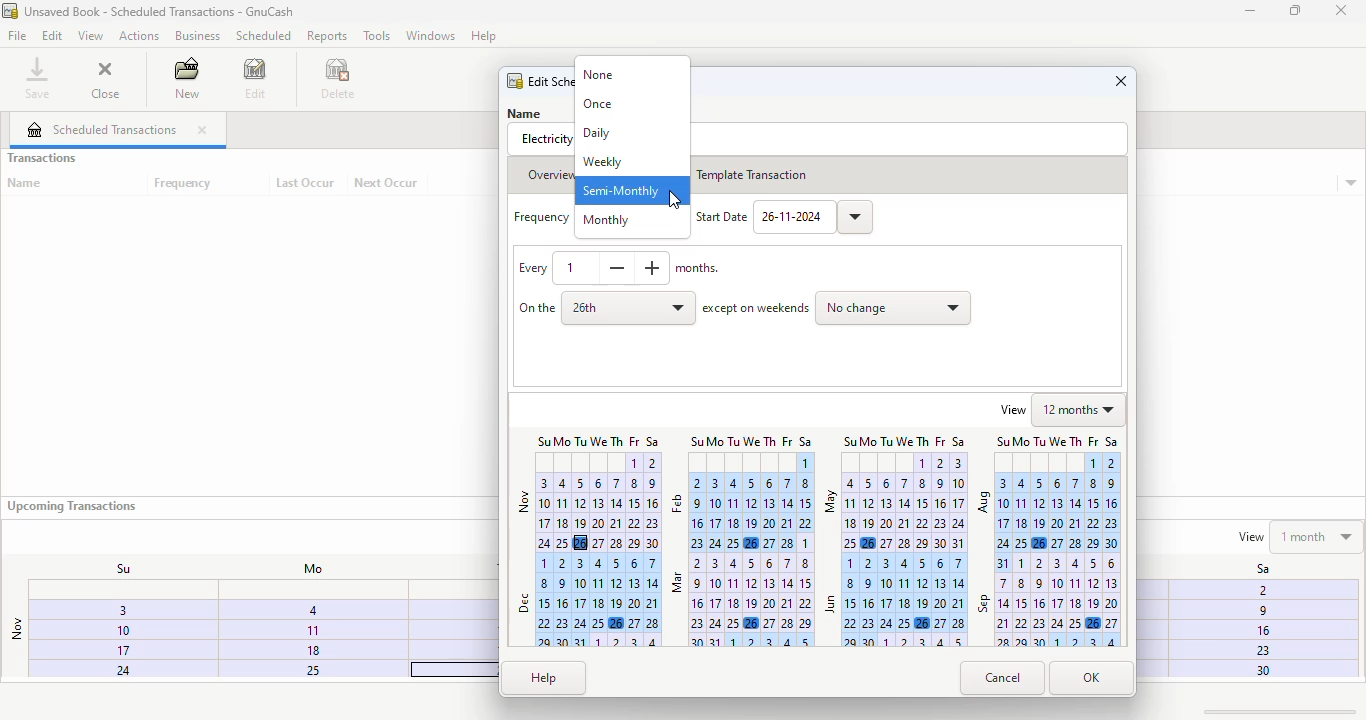 The height and width of the screenshot is (720, 1366). I want to click on 23, so click(1260, 650).